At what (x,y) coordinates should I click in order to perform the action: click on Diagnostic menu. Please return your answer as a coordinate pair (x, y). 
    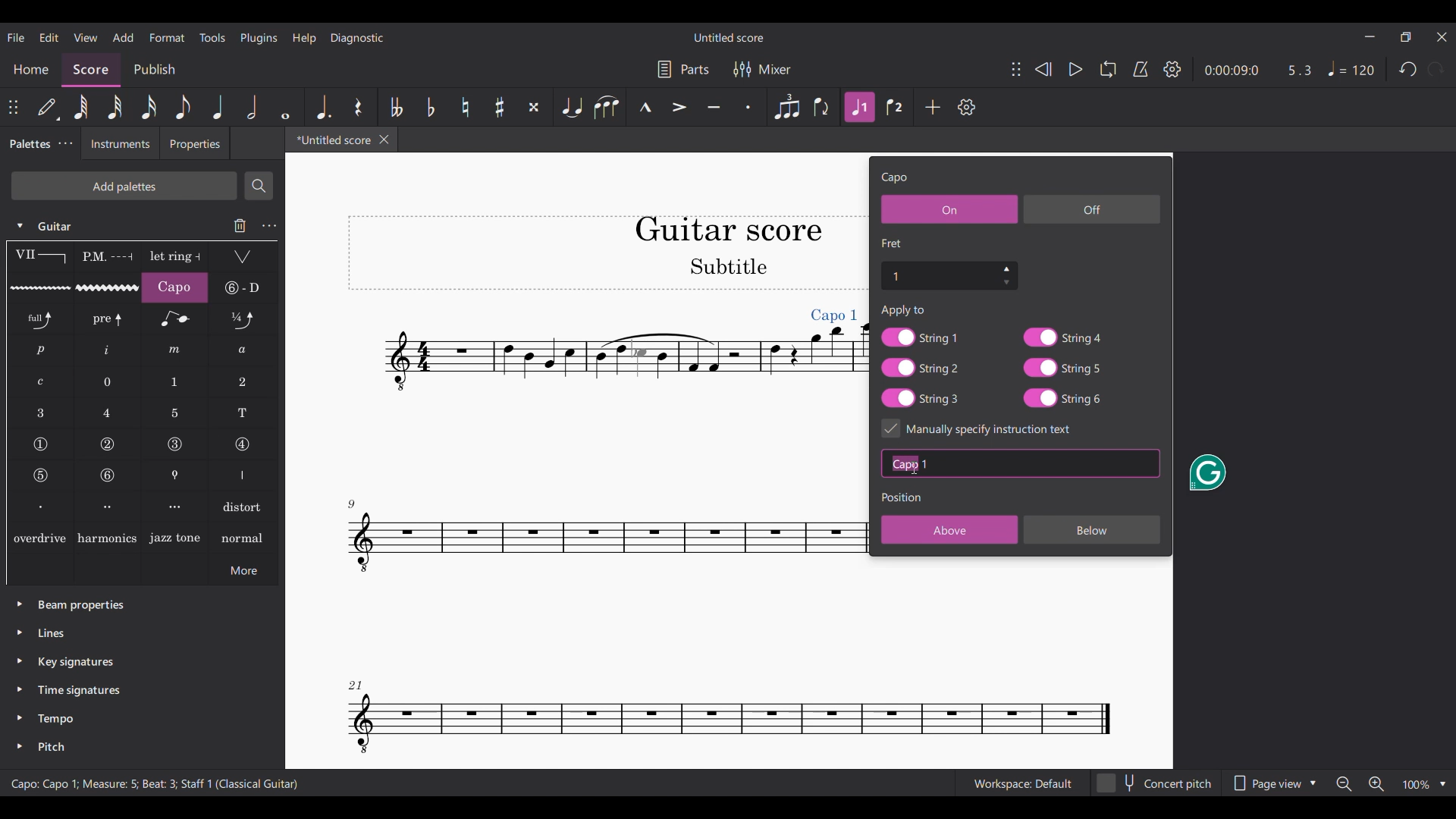
    Looking at the image, I should click on (357, 39).